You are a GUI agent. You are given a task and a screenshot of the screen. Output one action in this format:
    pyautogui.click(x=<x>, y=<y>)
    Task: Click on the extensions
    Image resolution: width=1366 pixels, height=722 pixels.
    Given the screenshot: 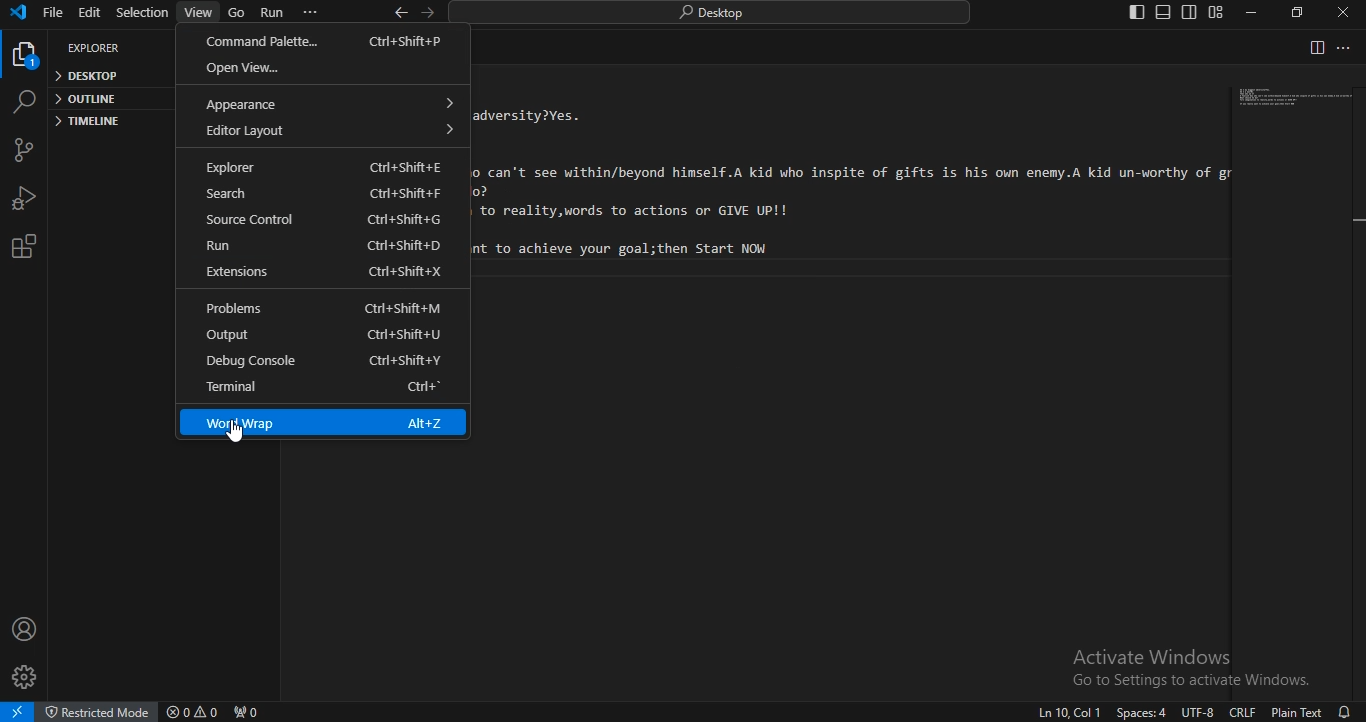 What is the action you would take?
    pyautogui.click(x=327, y=272)
    